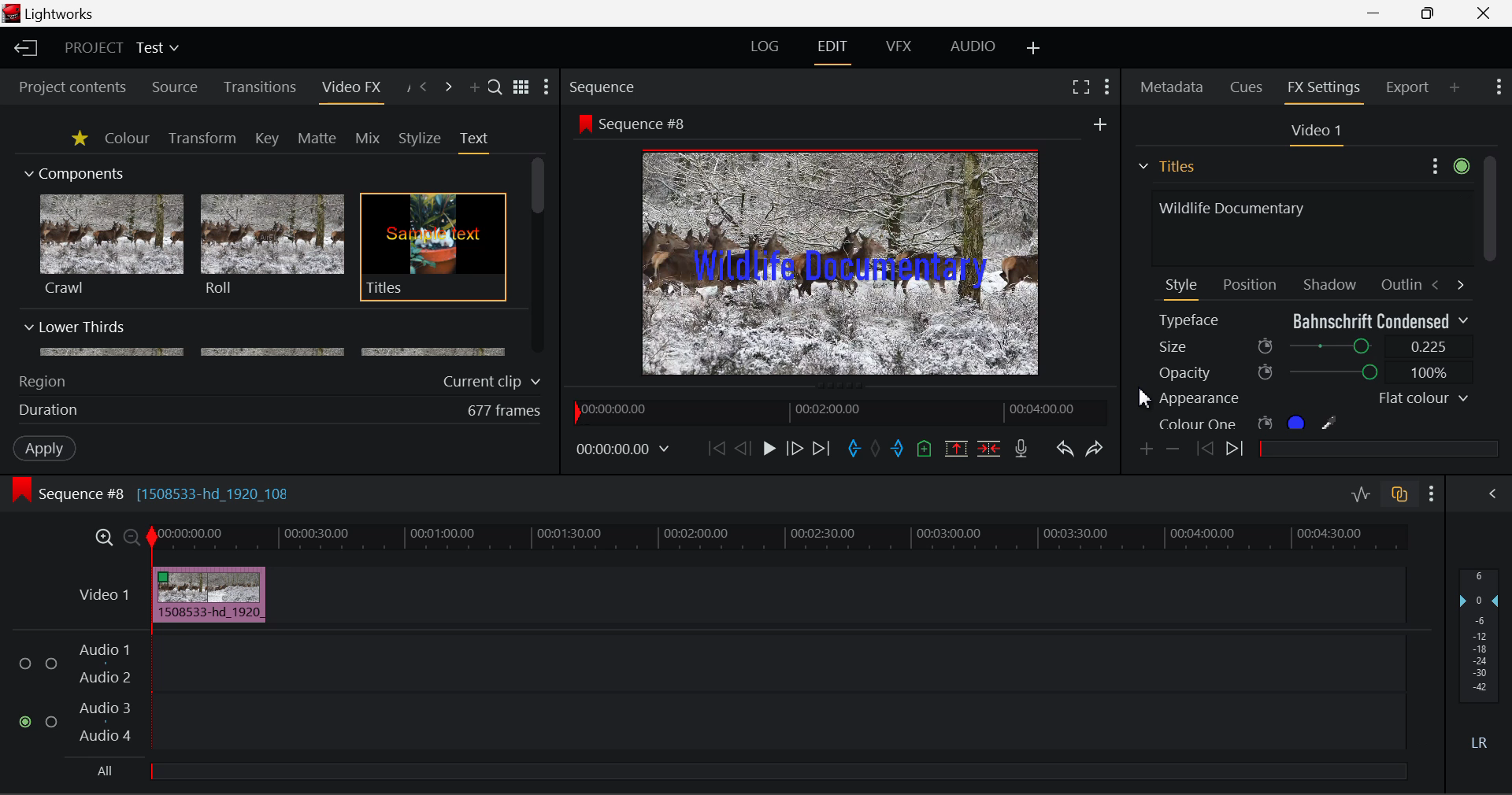  What do you see at coordinates (765, 46) in the screenshot?
I see `LOG Layout` at bounding box center [765, 46].